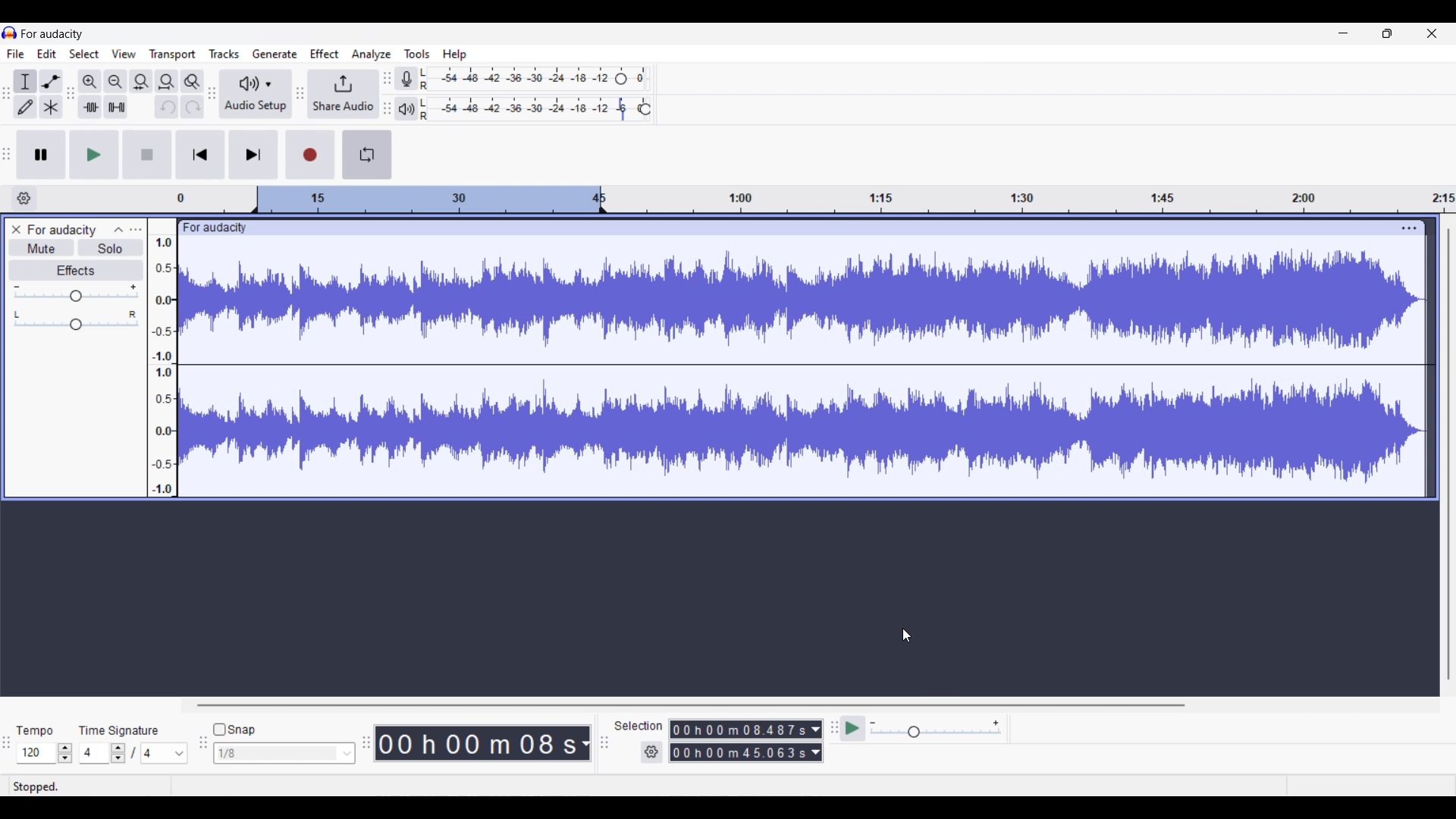 This screenshot has width=1456, height=819. What do you see at coordinates (24, 199) in the screenshot?
I see `Timeline options` at bounding box center [24, 199].